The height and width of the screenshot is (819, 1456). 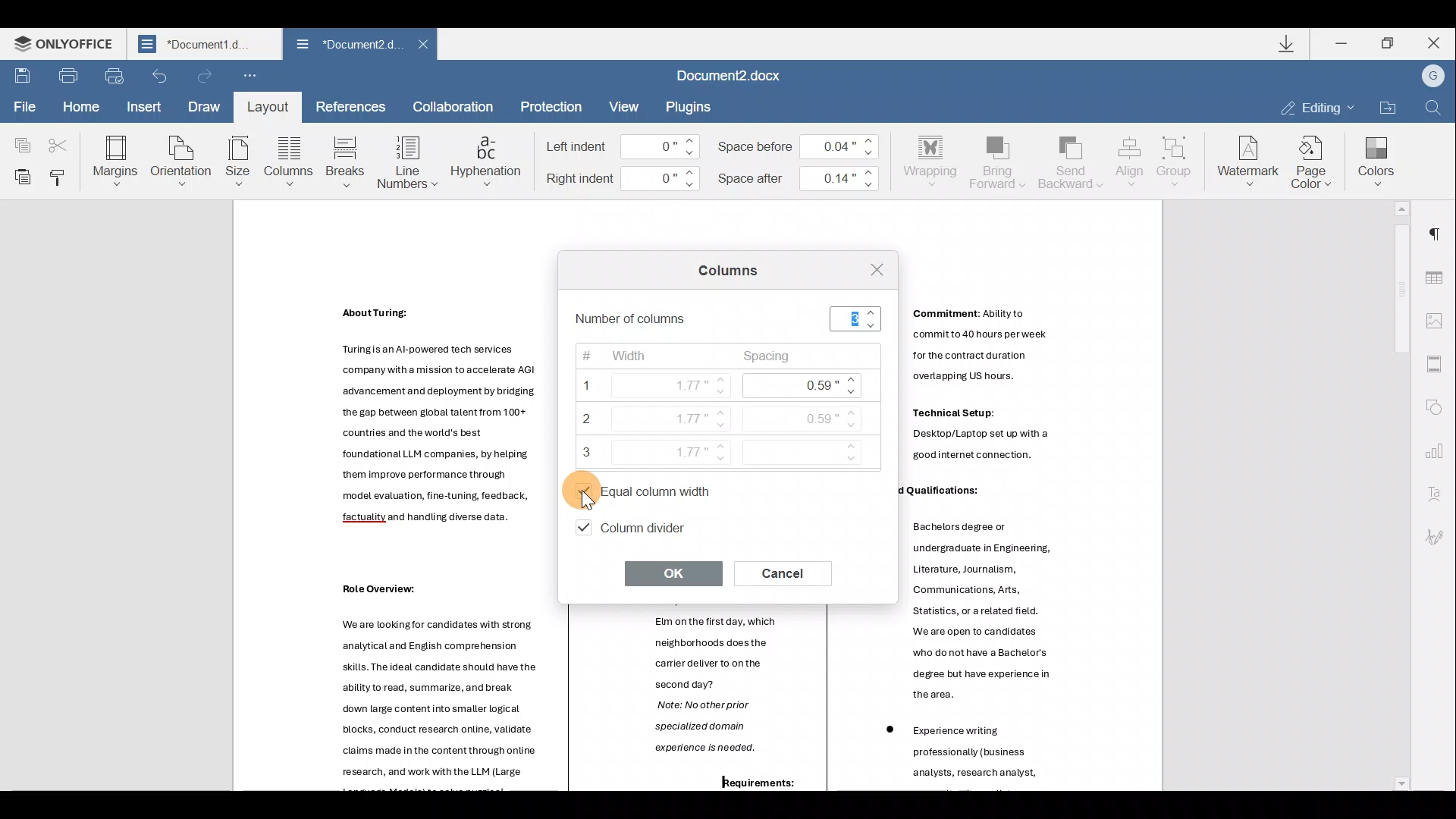 I want to click on , so click(x=437, y=437).